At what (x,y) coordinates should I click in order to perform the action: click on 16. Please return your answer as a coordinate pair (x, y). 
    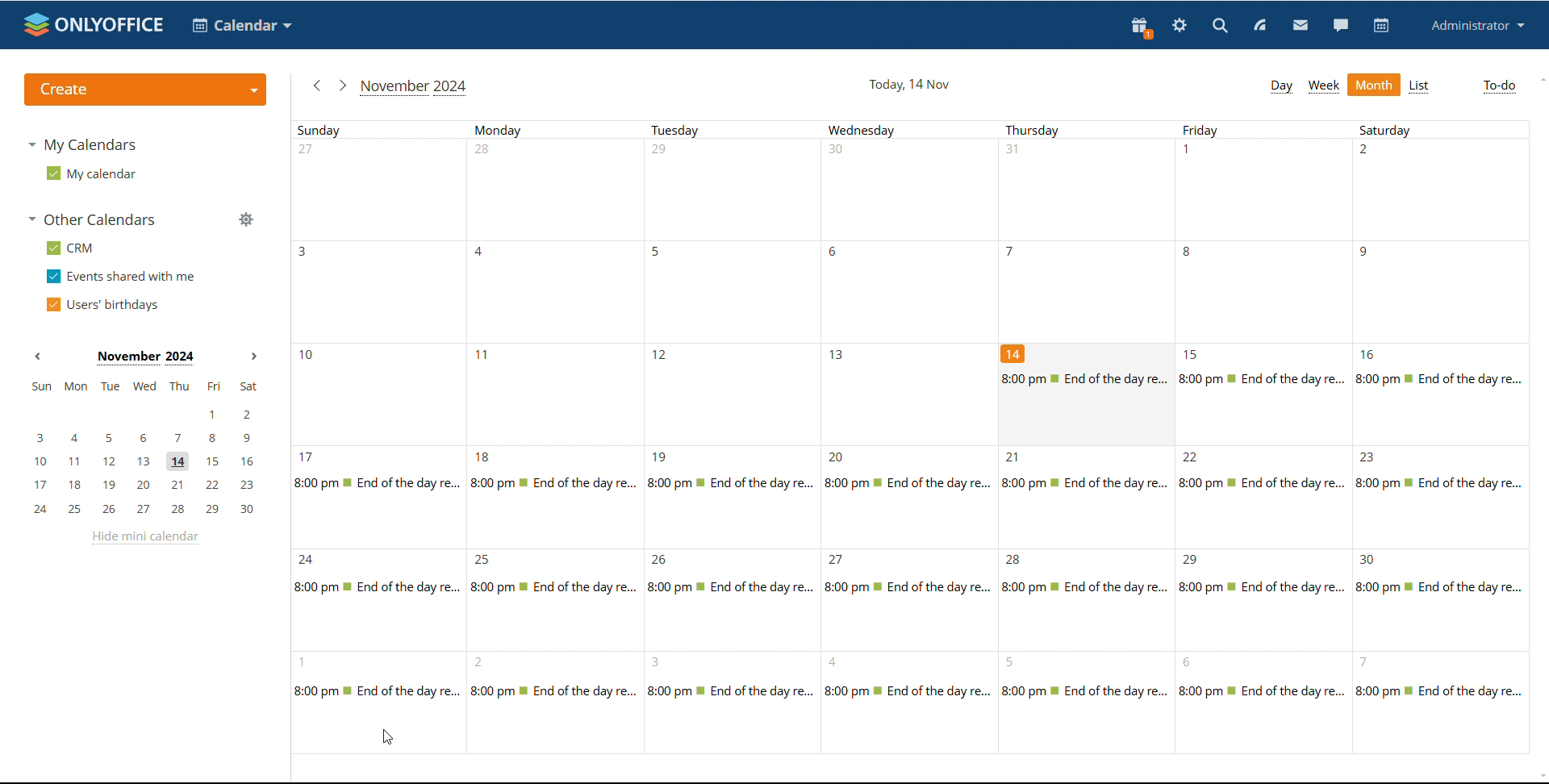
    Looking at the image, I should click on (1373, 356).